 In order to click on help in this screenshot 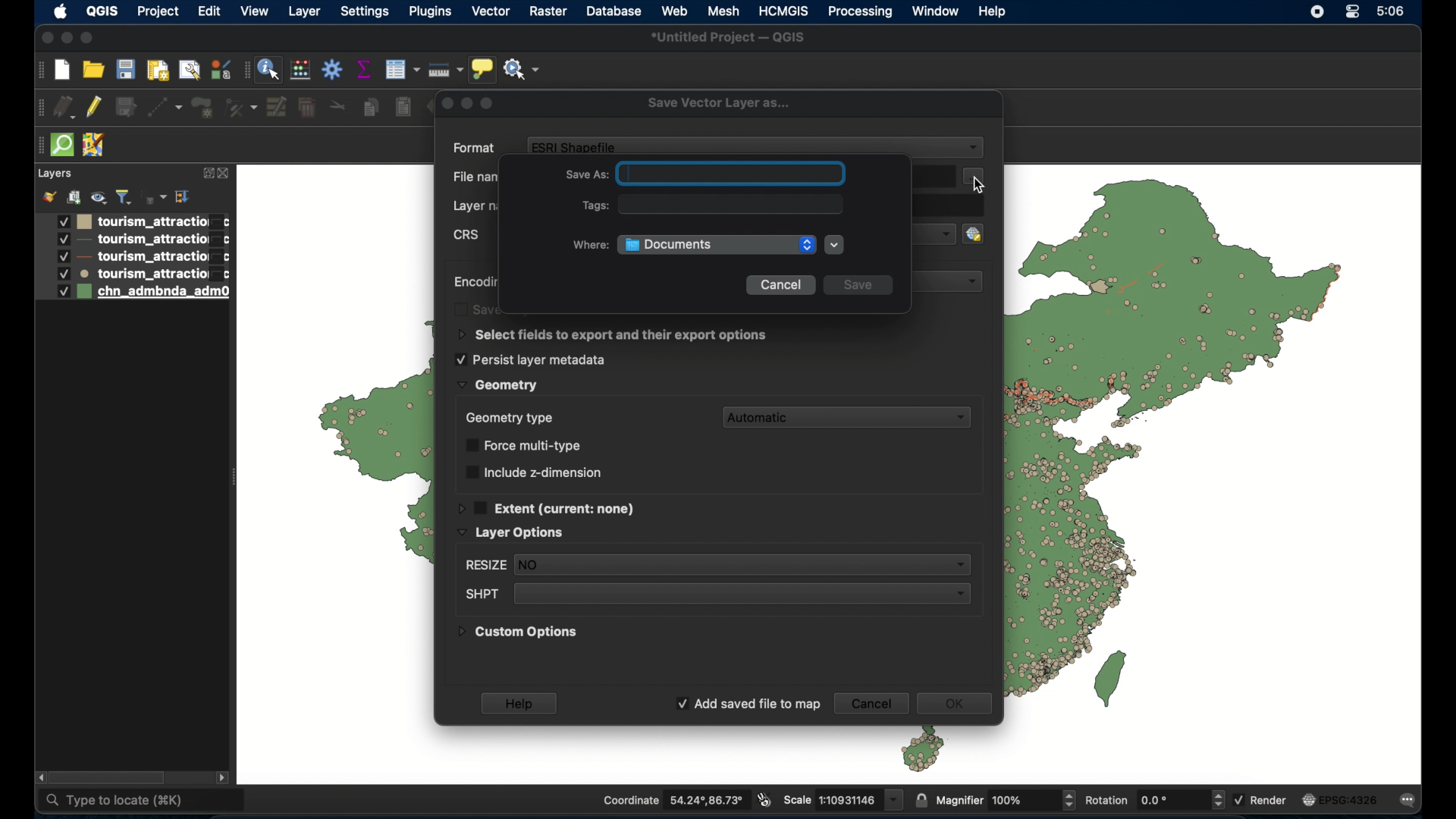, I will do `click(993, 11)`.